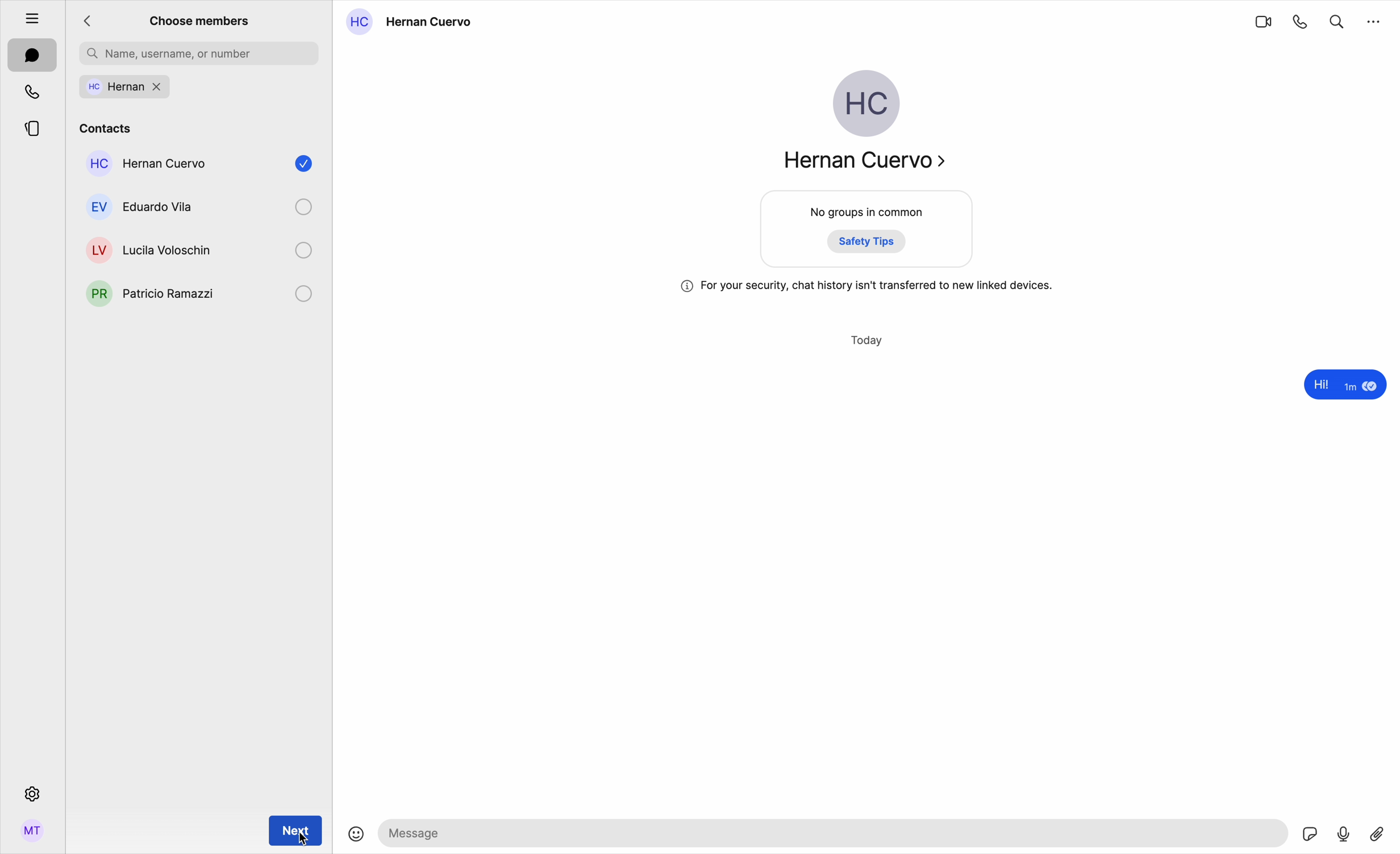  What do you see at coordinates (34, 91) in the screenshot?
I see `calls` at bounding box center [34, 91].